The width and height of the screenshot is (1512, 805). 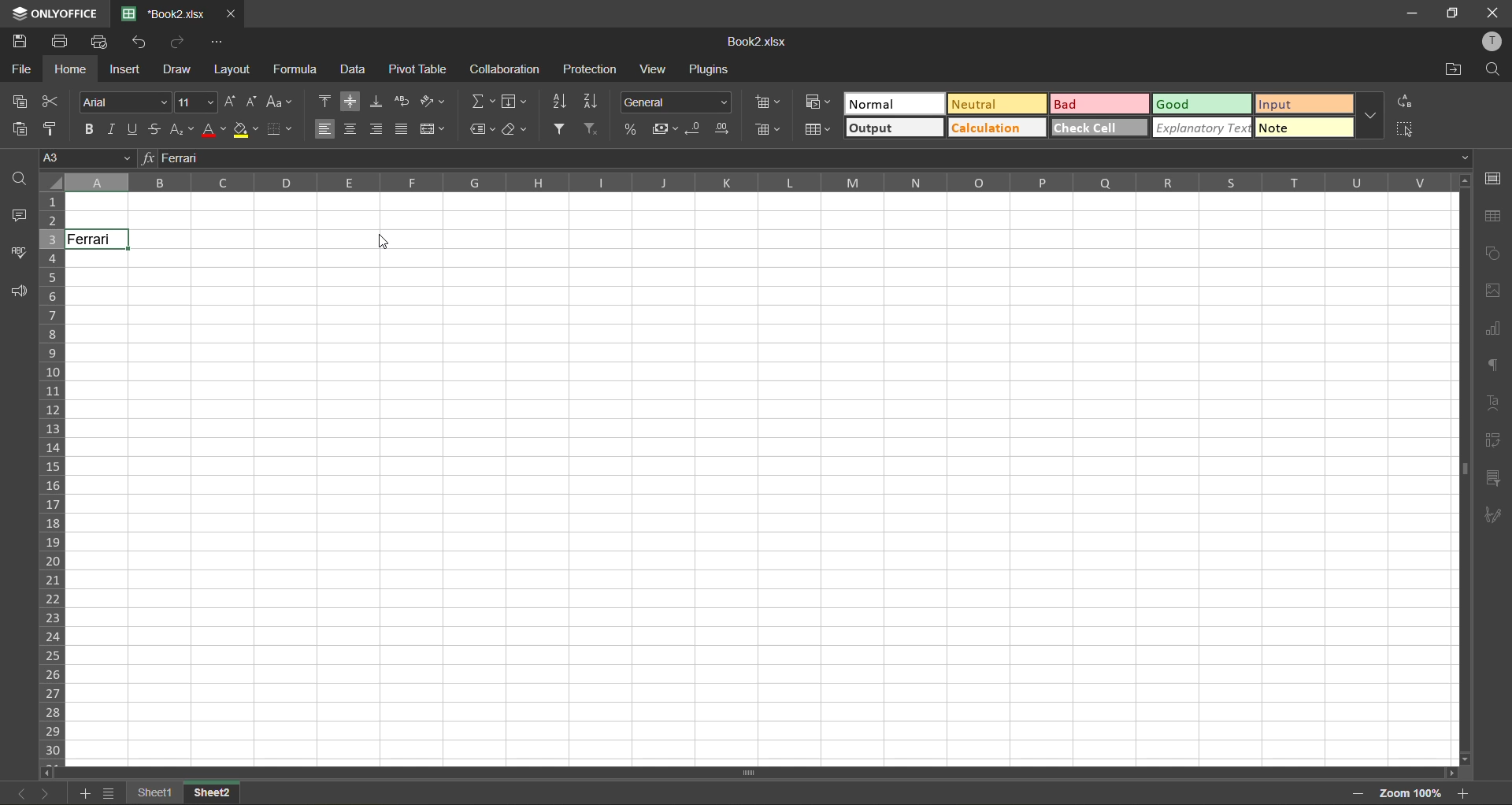 What do you see at coordinates (354, 71) in the screenshot?
I see `data` at bounding box center [354, 71].